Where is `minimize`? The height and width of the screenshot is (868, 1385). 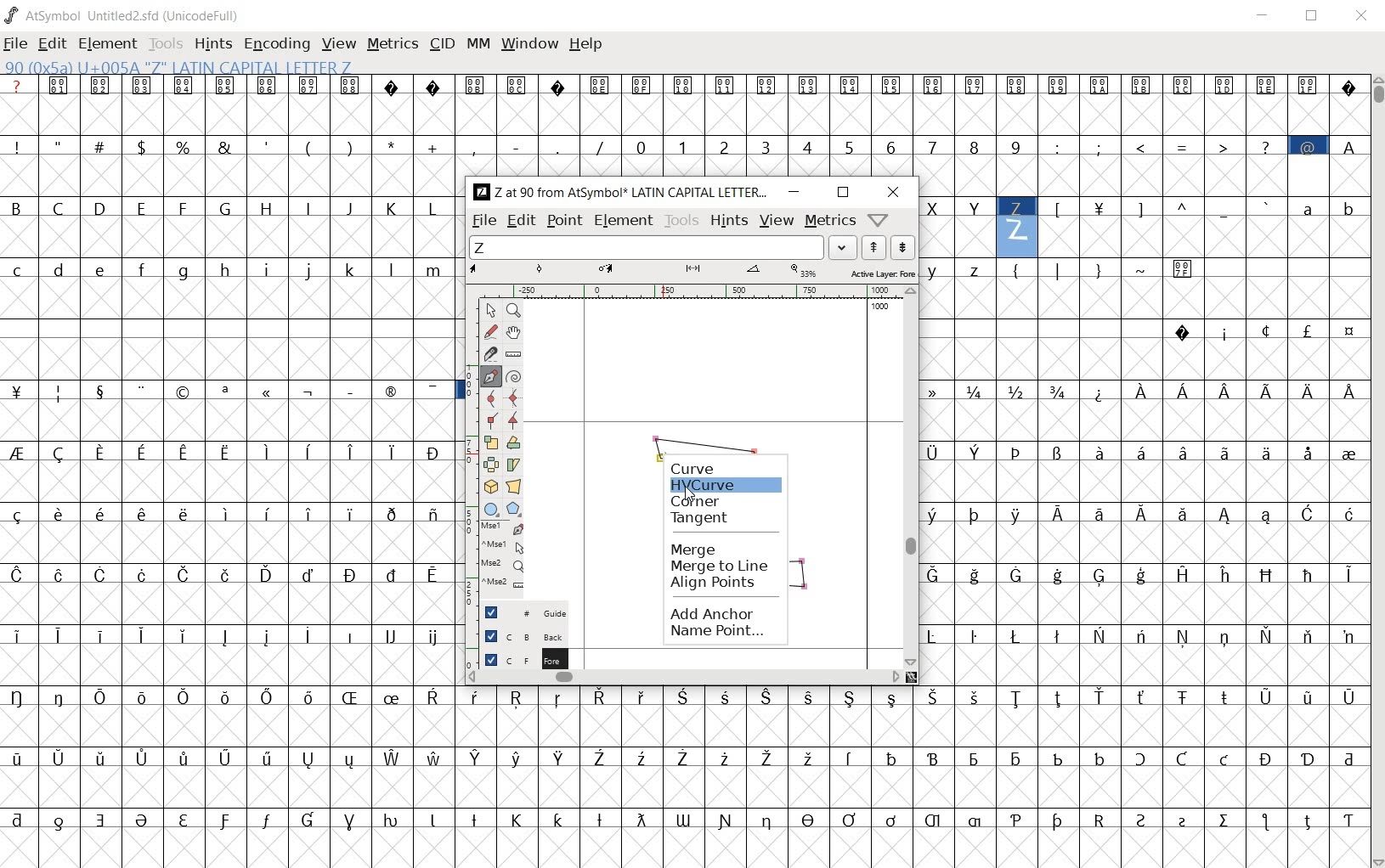
minimize is located at coordinates (795, 192).